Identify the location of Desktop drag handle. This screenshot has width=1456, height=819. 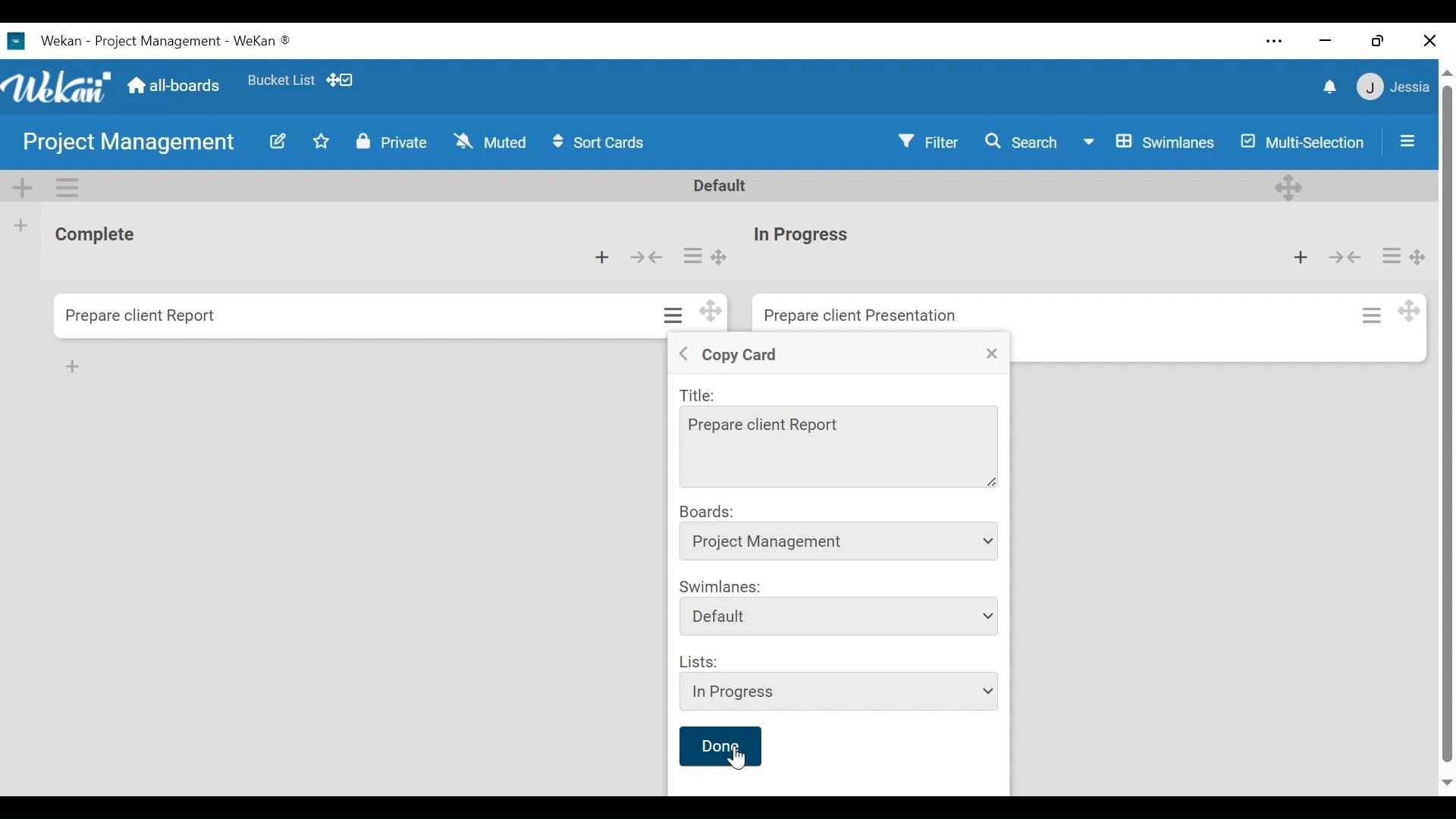
(1419, 258).